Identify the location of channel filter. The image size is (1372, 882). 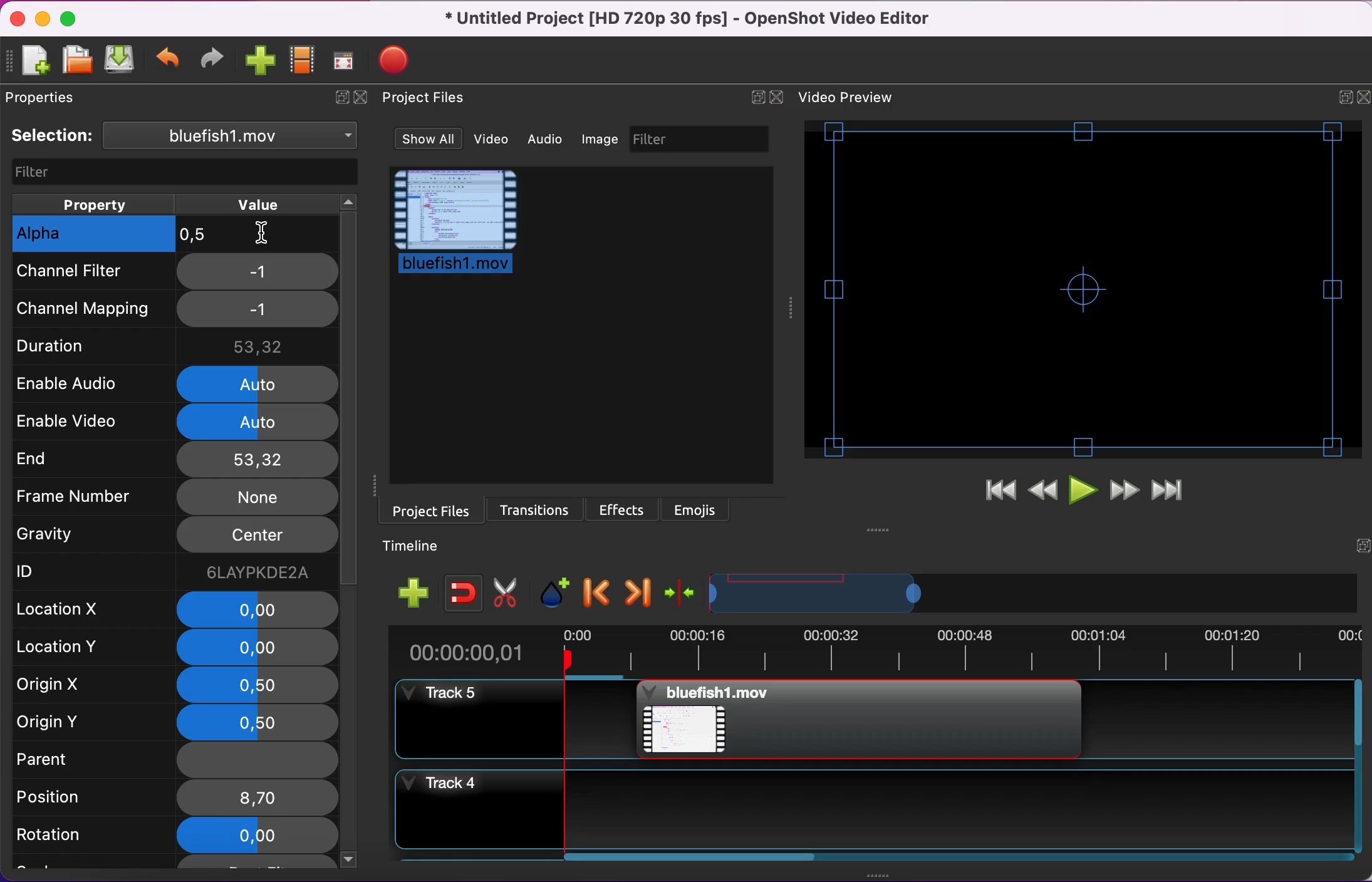
(93, 276).